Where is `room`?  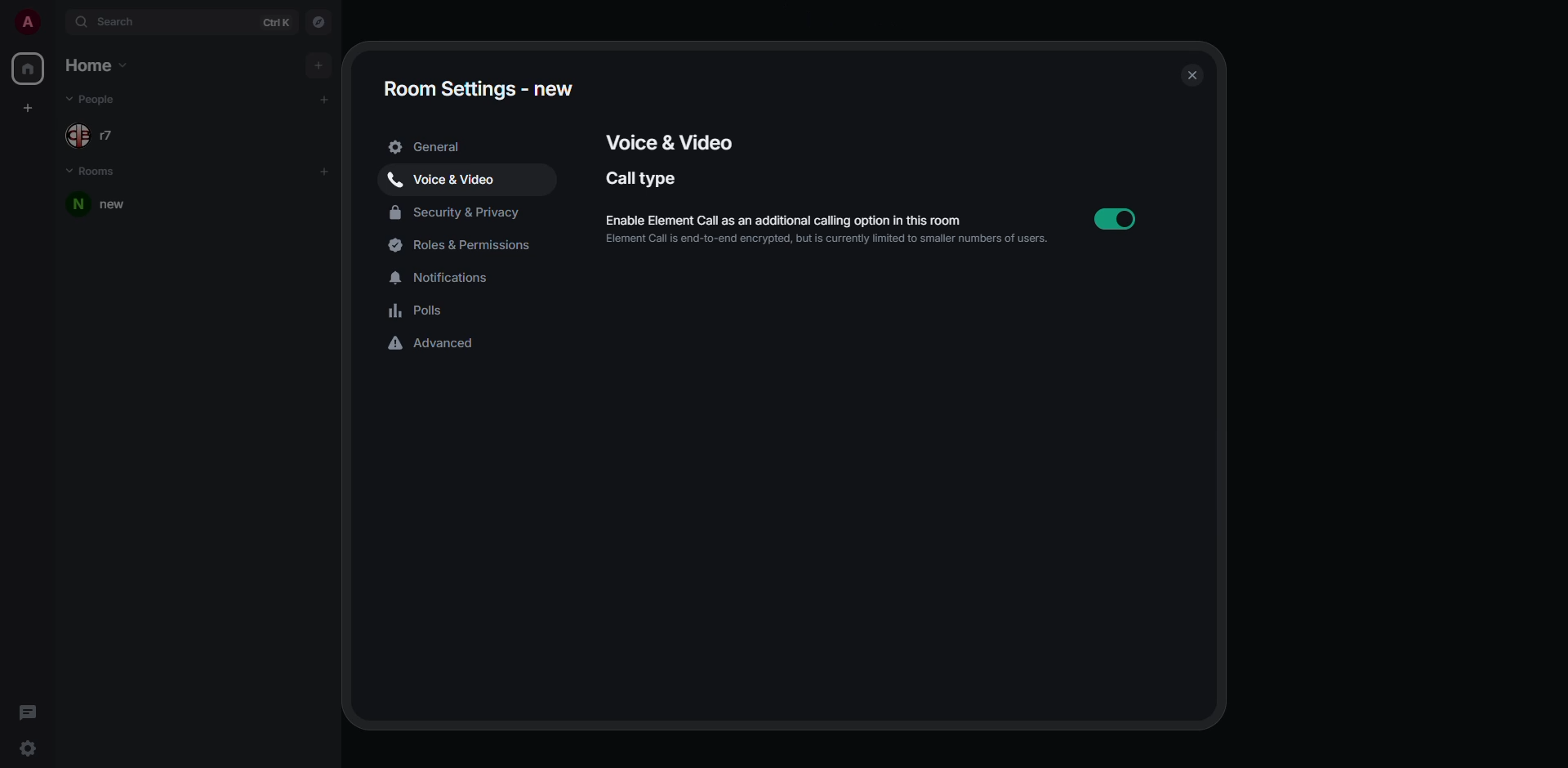
room is located at coordinates (106, 205).